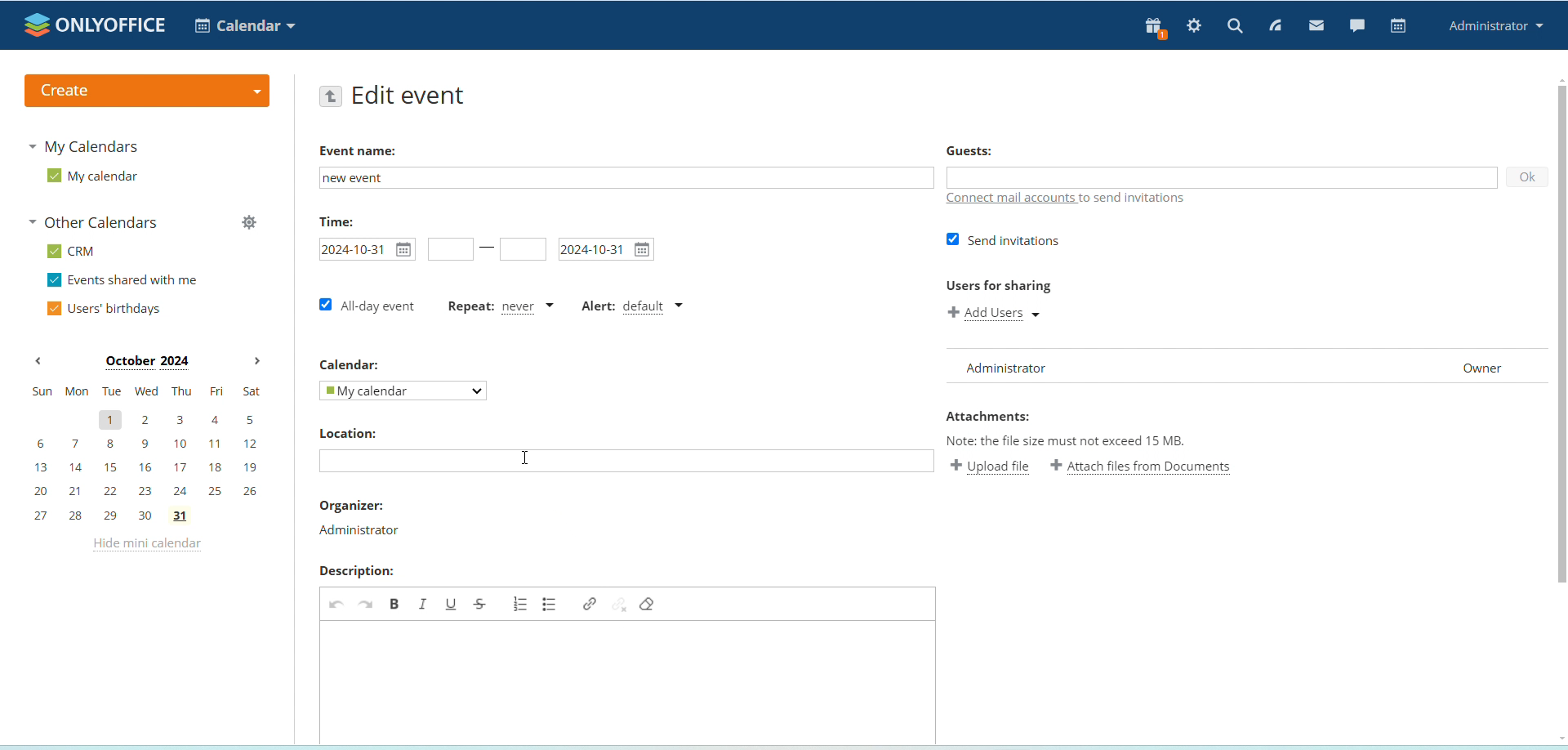 The width and height of the screenshot is (1568, 750). Describe the element at coordinates (256, 362) in the screenshot. I see `next month` at that location.